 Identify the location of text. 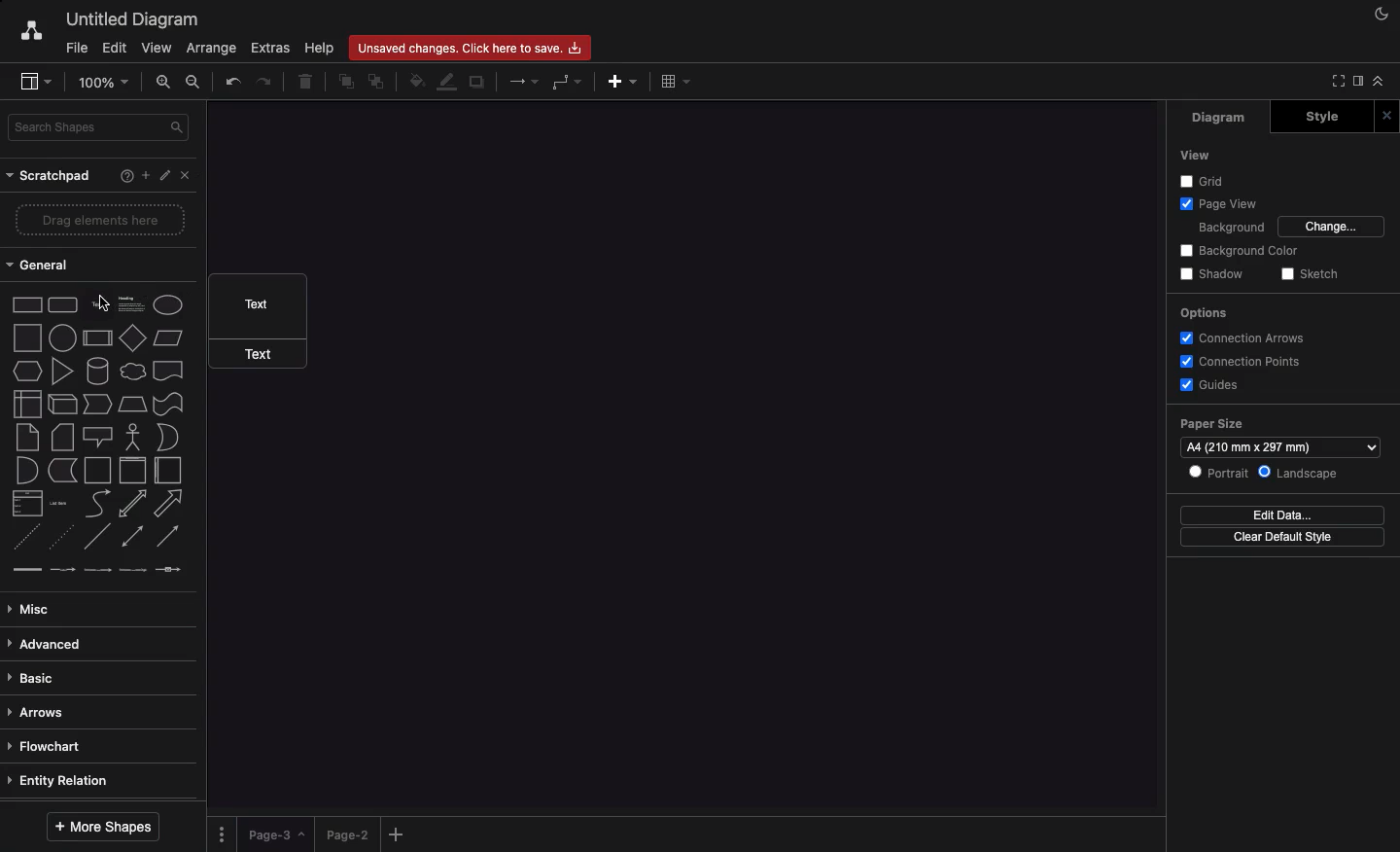
(263, 353).